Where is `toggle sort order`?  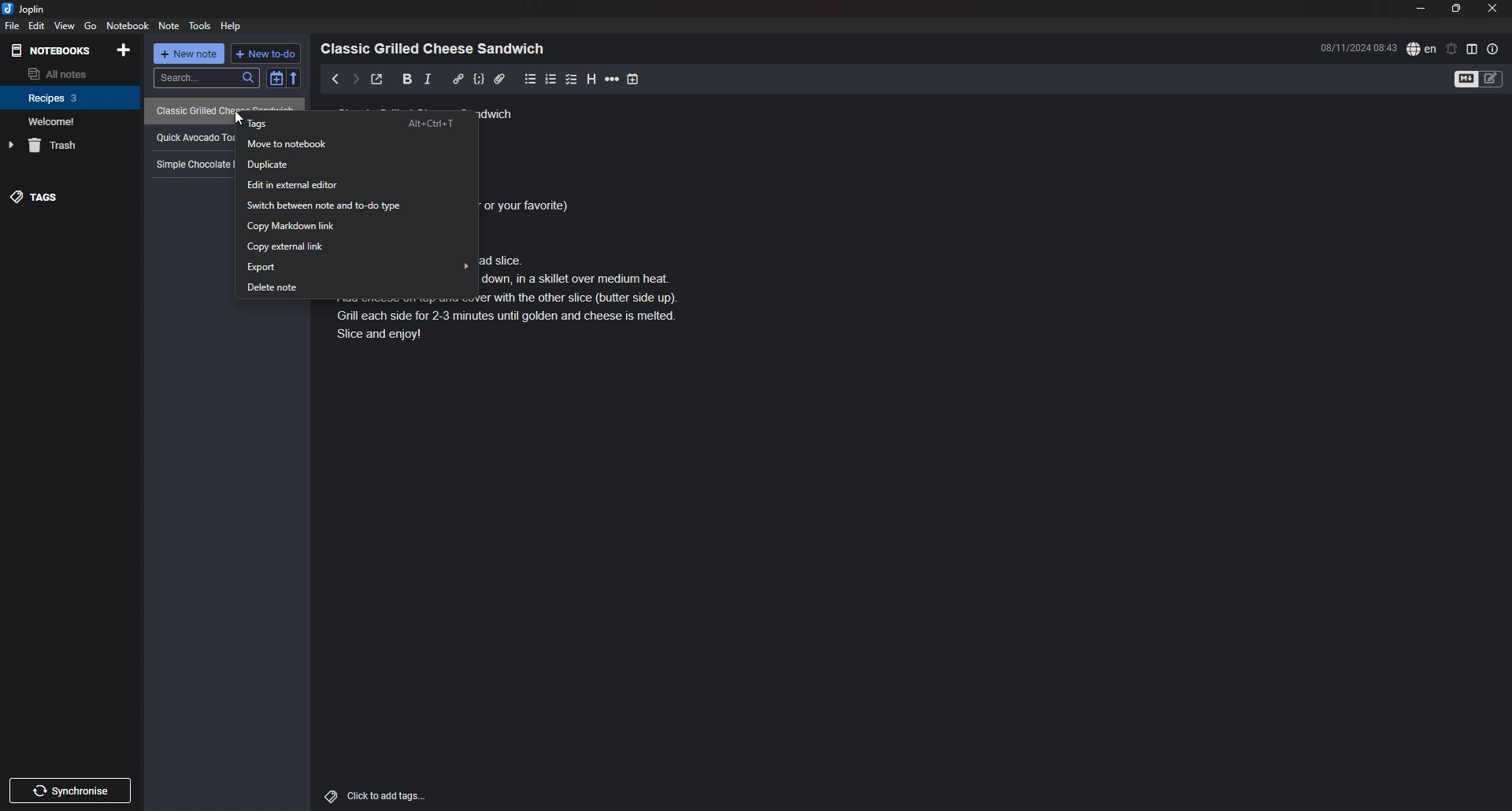 toggle sort order is located at coordinates (276, 78).